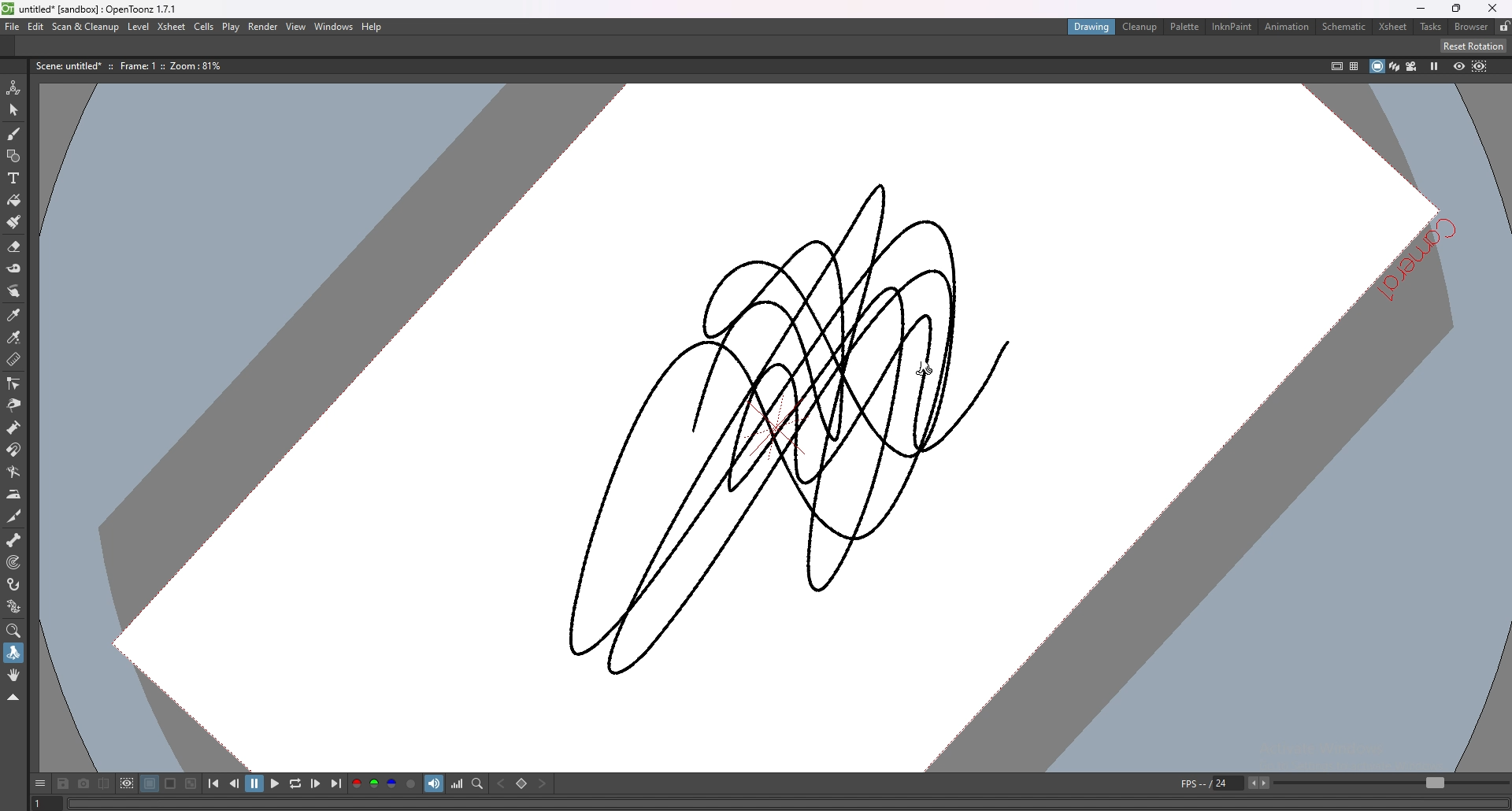 Image resolution: width=1512 pixels, height=811 pixels. Describe the element at coordinates (14, 200) in the screenshot. I see `paint tool` at that location.